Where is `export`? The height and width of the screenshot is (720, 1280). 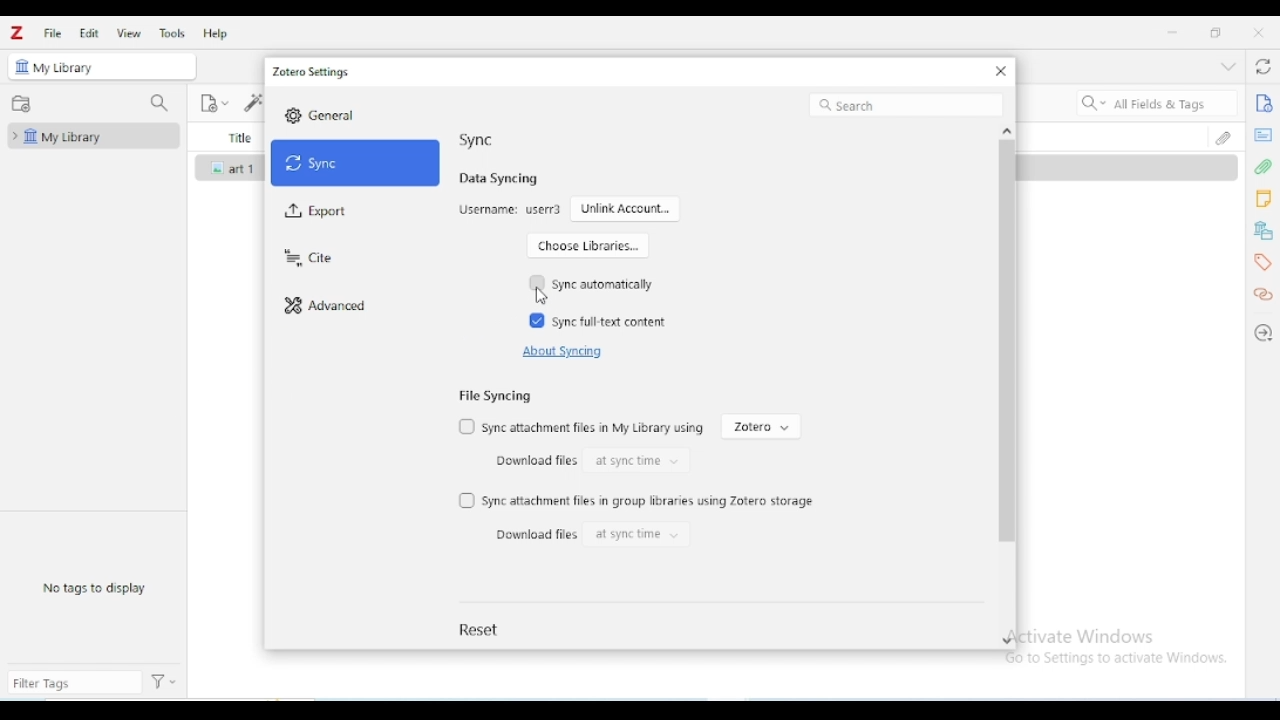
export is located at coordinates (317, 212).